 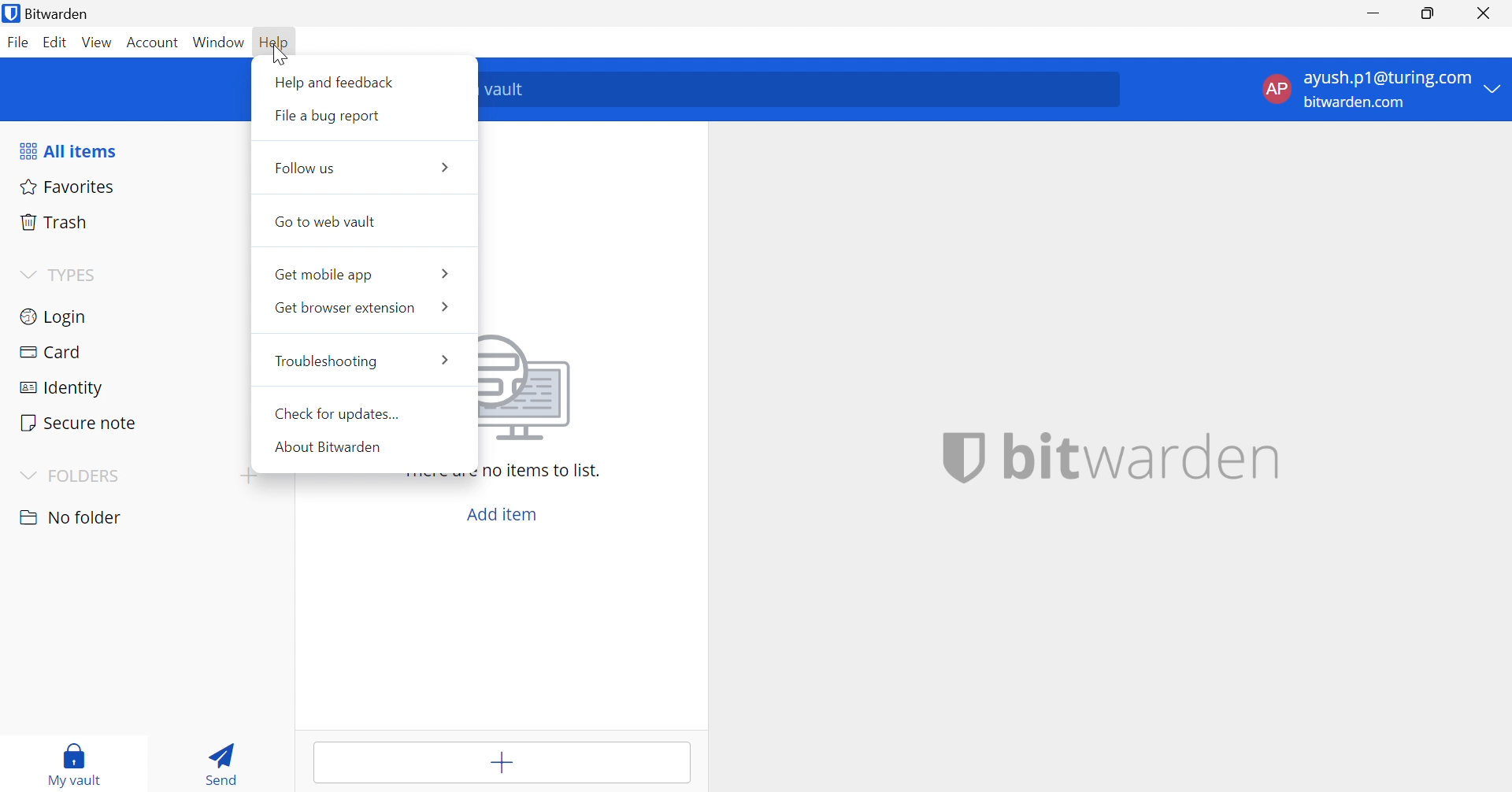 I want to click on close, so click(x=1483, y=13).